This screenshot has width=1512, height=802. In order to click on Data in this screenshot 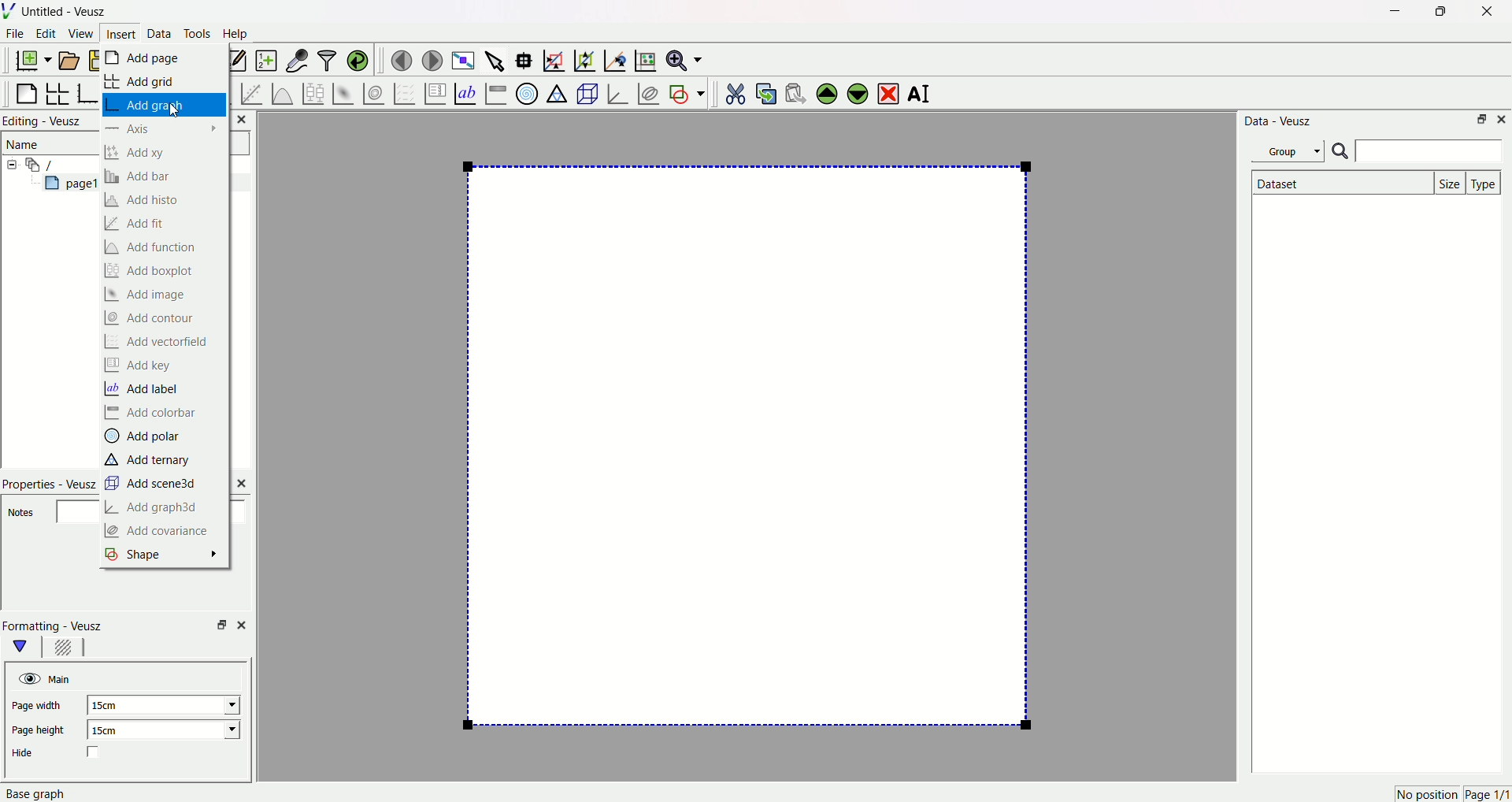, I will do `click(160, 35)`.